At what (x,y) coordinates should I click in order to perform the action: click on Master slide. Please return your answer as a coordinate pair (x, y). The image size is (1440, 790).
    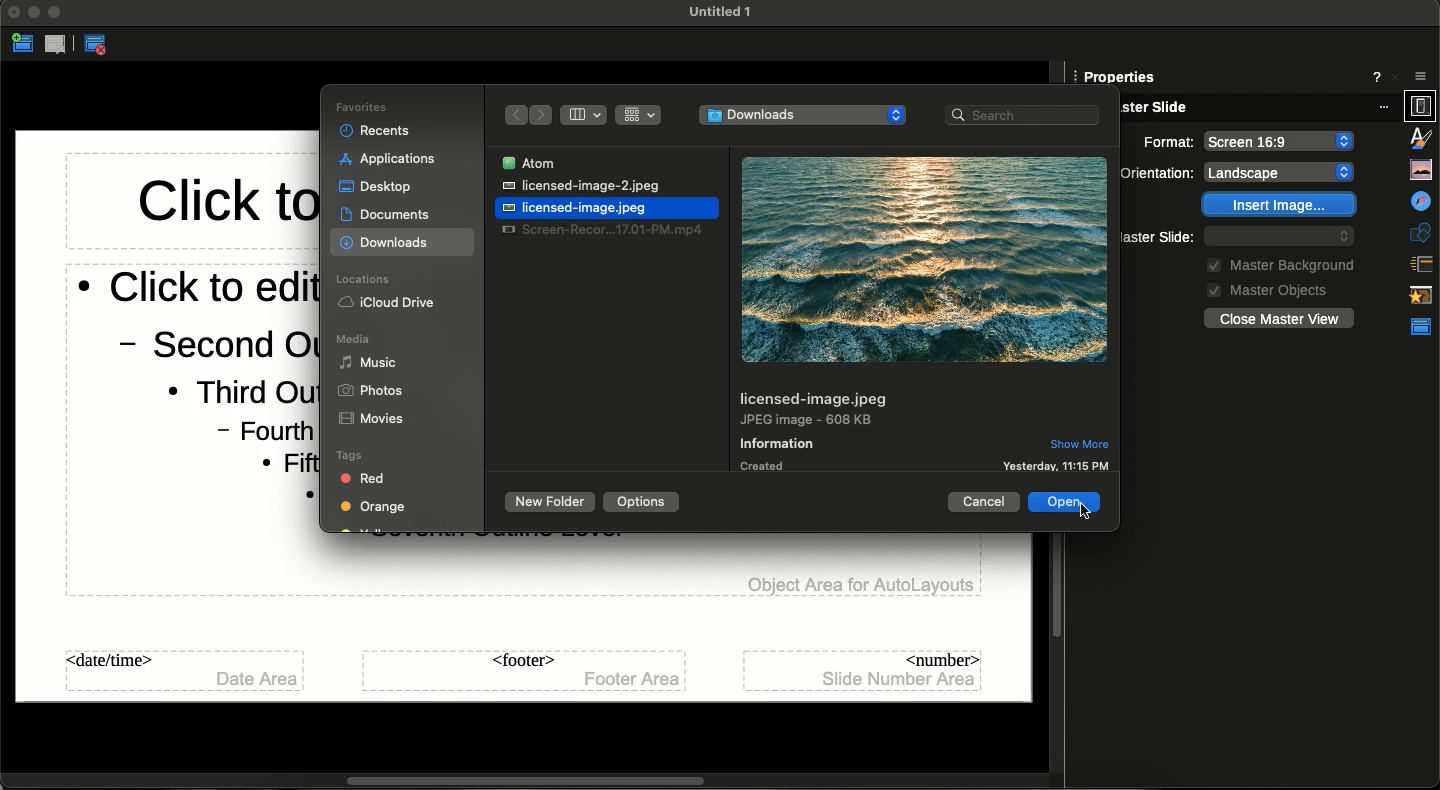
    Looking at the image, I should click on (1156, 236).